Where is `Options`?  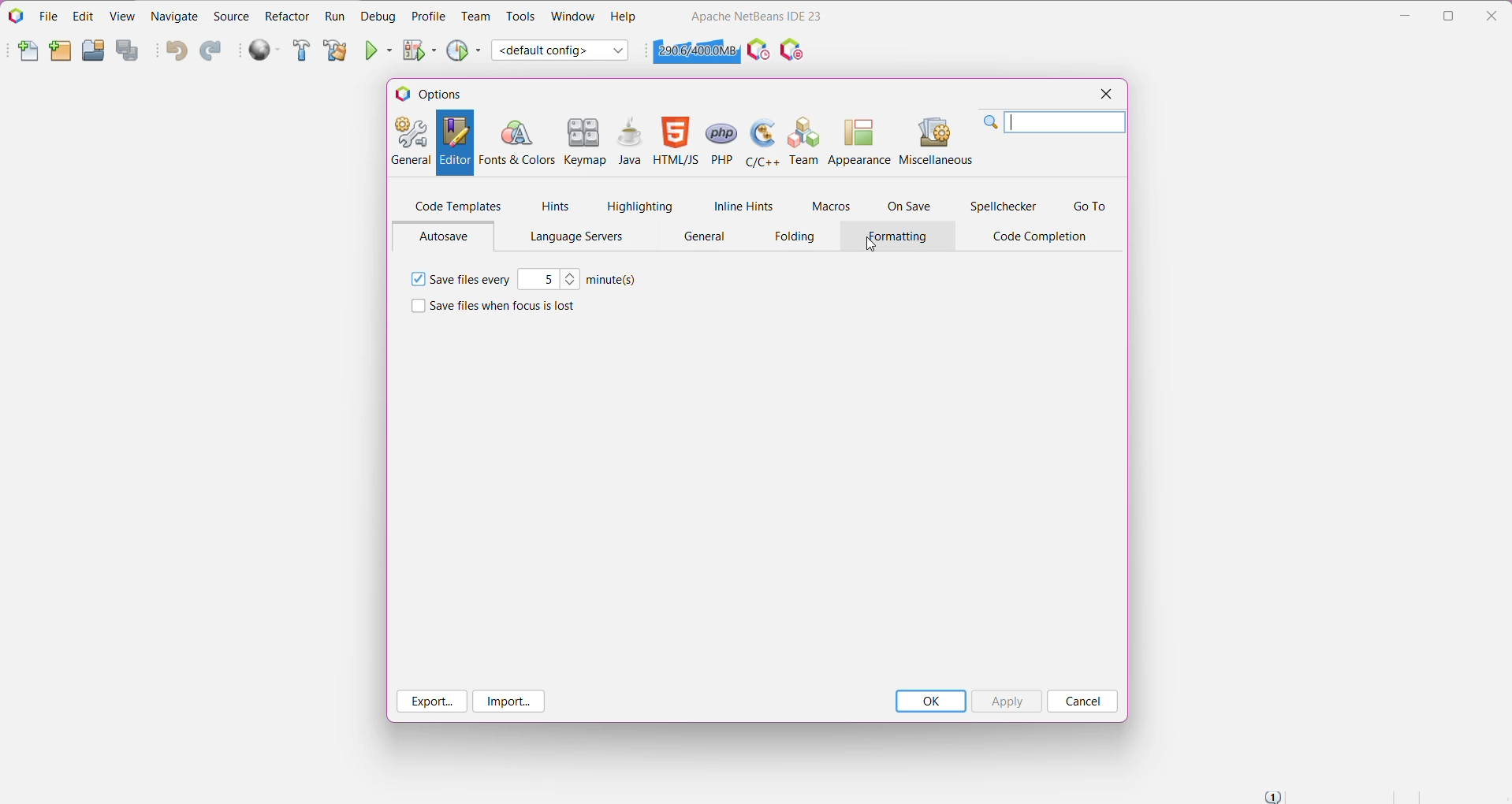 Options is located at coordinates (435, 94).